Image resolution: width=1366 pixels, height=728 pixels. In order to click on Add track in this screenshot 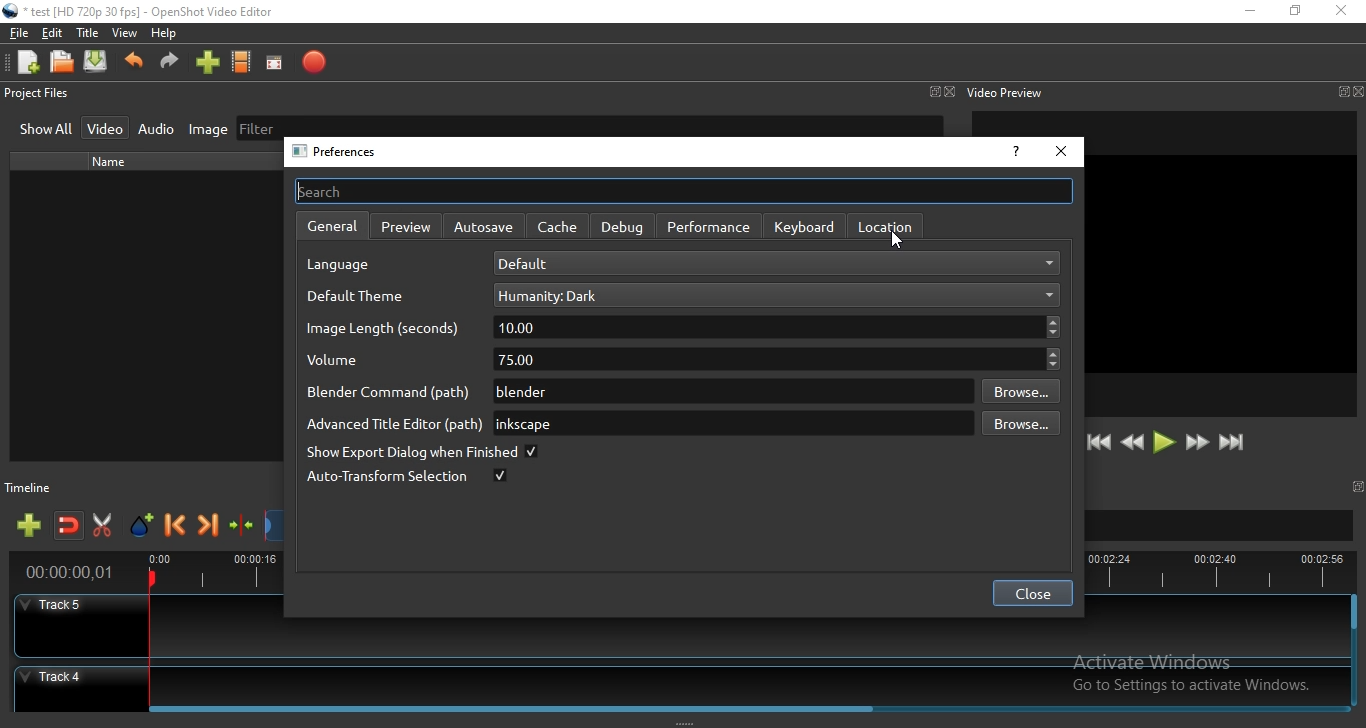, I will do `click(31, 526)`.